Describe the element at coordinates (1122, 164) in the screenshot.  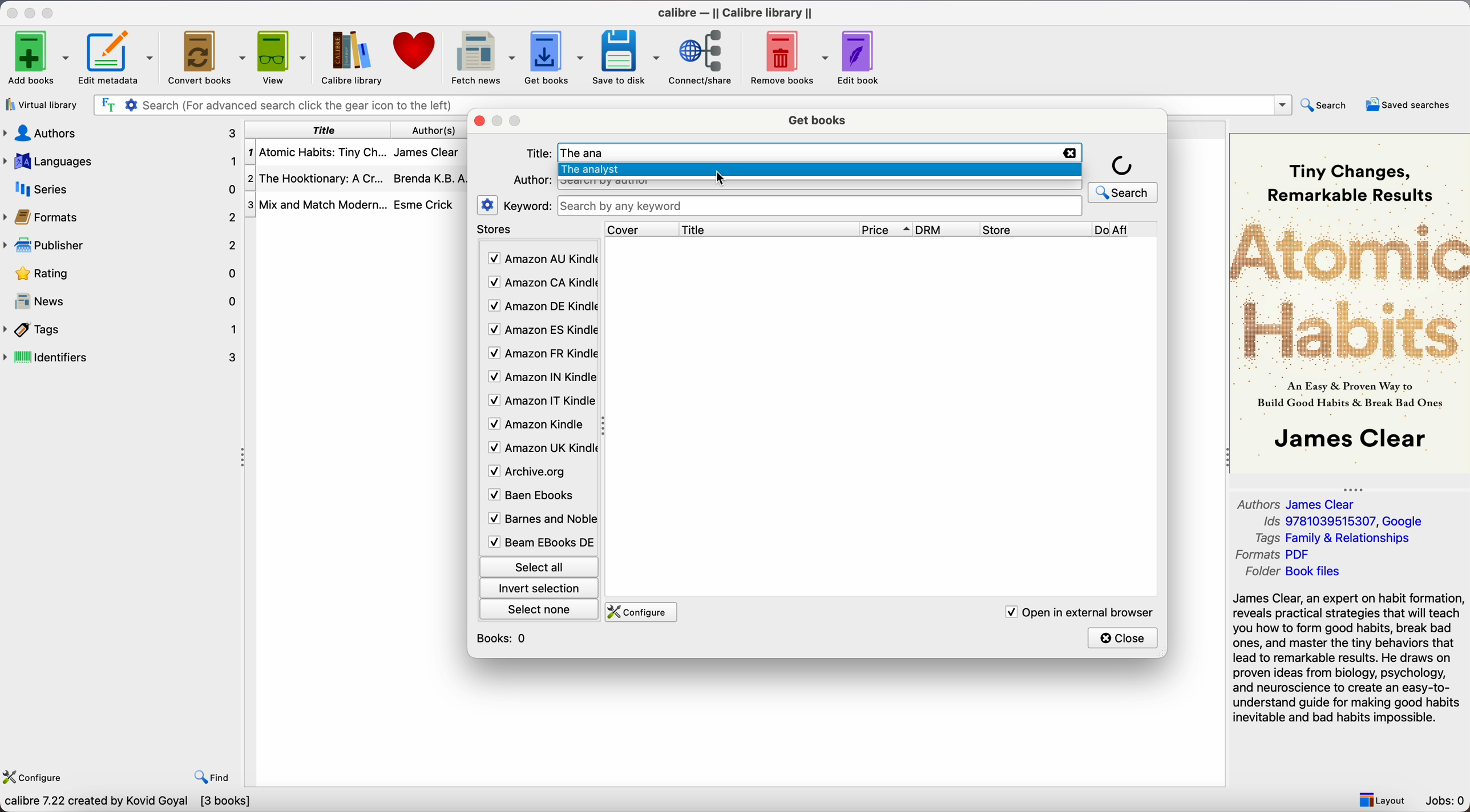
I see `loading icon` at that location.